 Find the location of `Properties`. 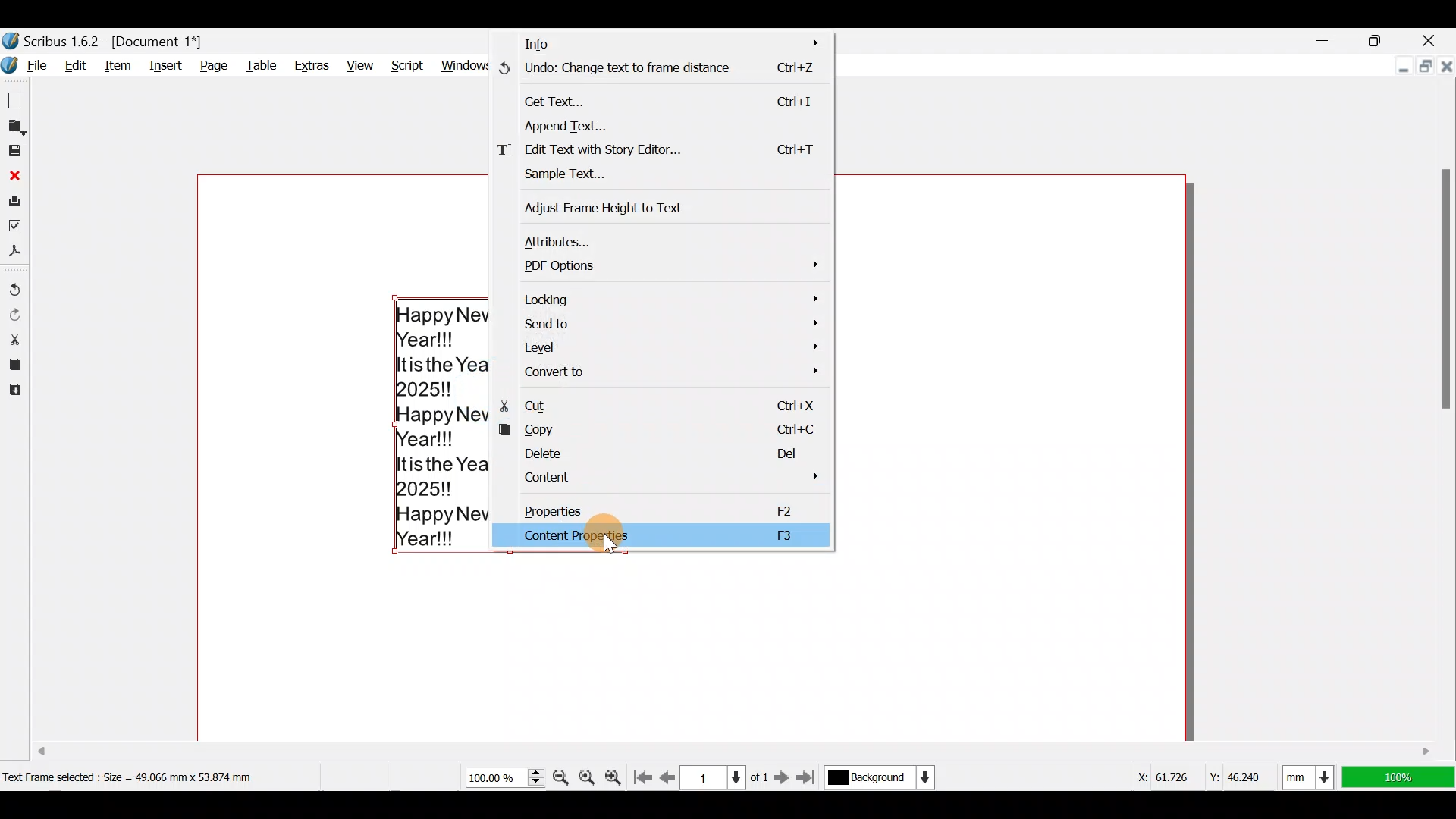

Properties is located at coordinates (673, 508).